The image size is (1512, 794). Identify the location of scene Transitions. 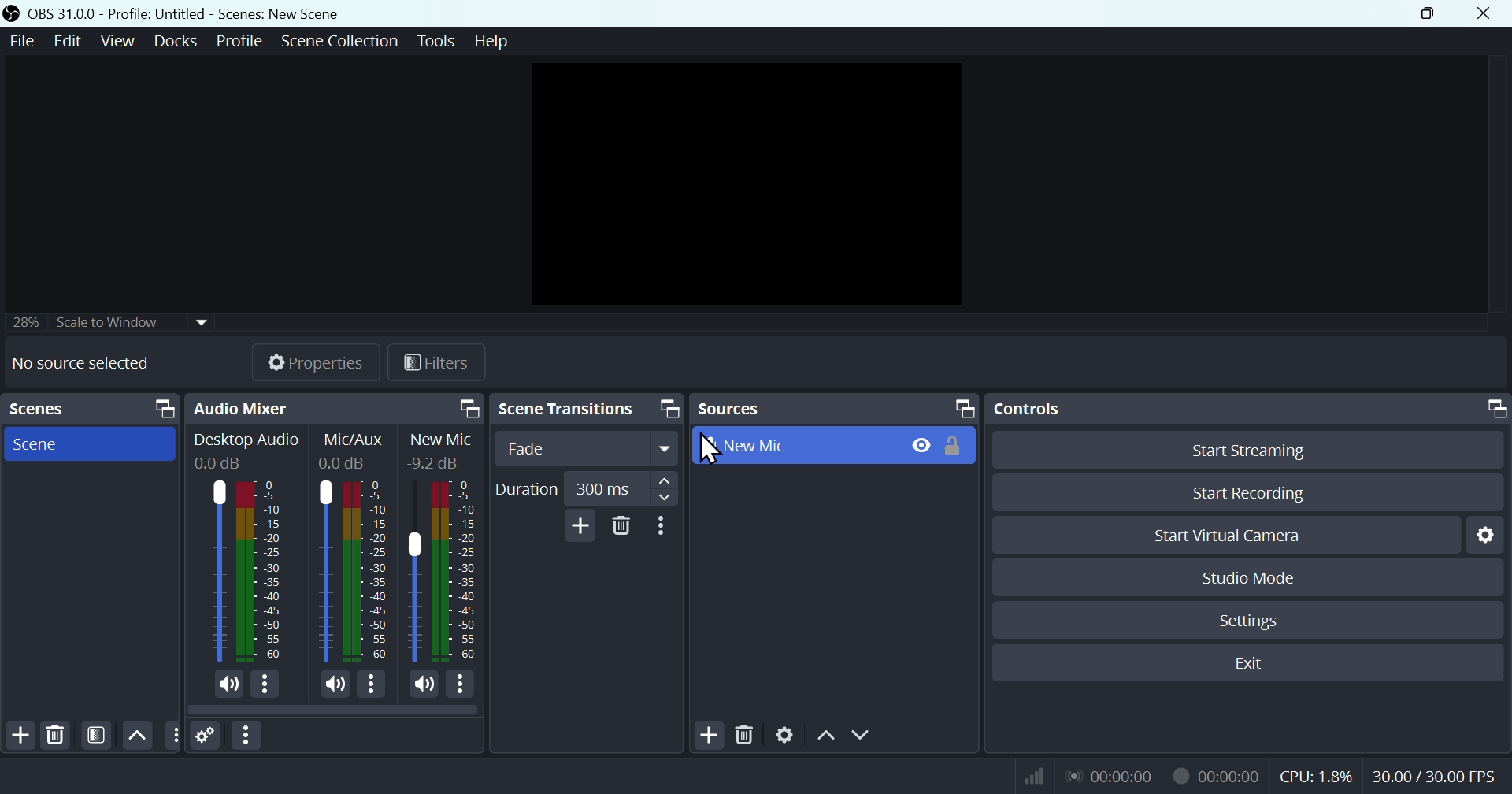
(588, 406).